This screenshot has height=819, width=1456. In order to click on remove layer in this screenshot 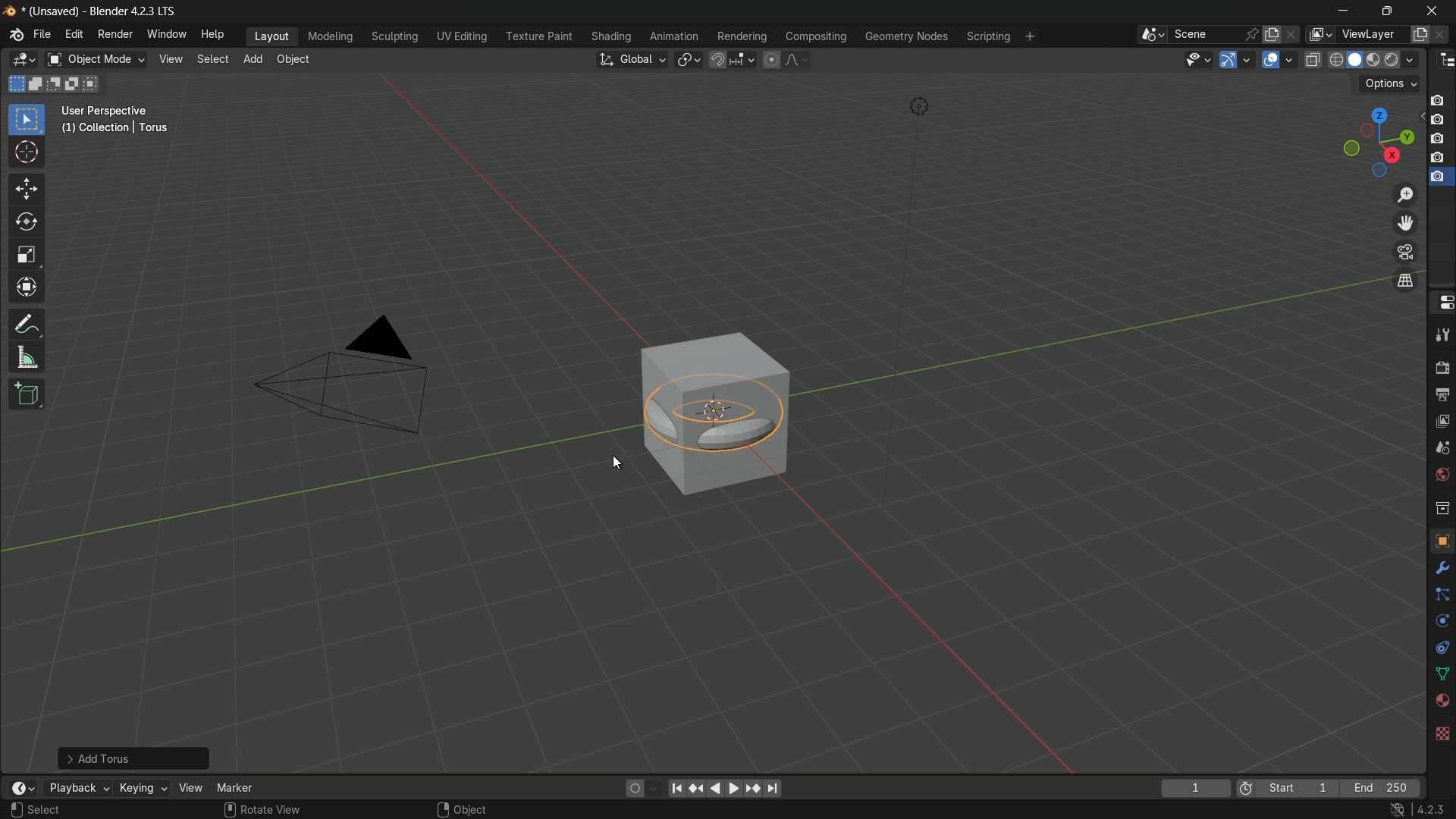, I will do `click(1442, 34)`.